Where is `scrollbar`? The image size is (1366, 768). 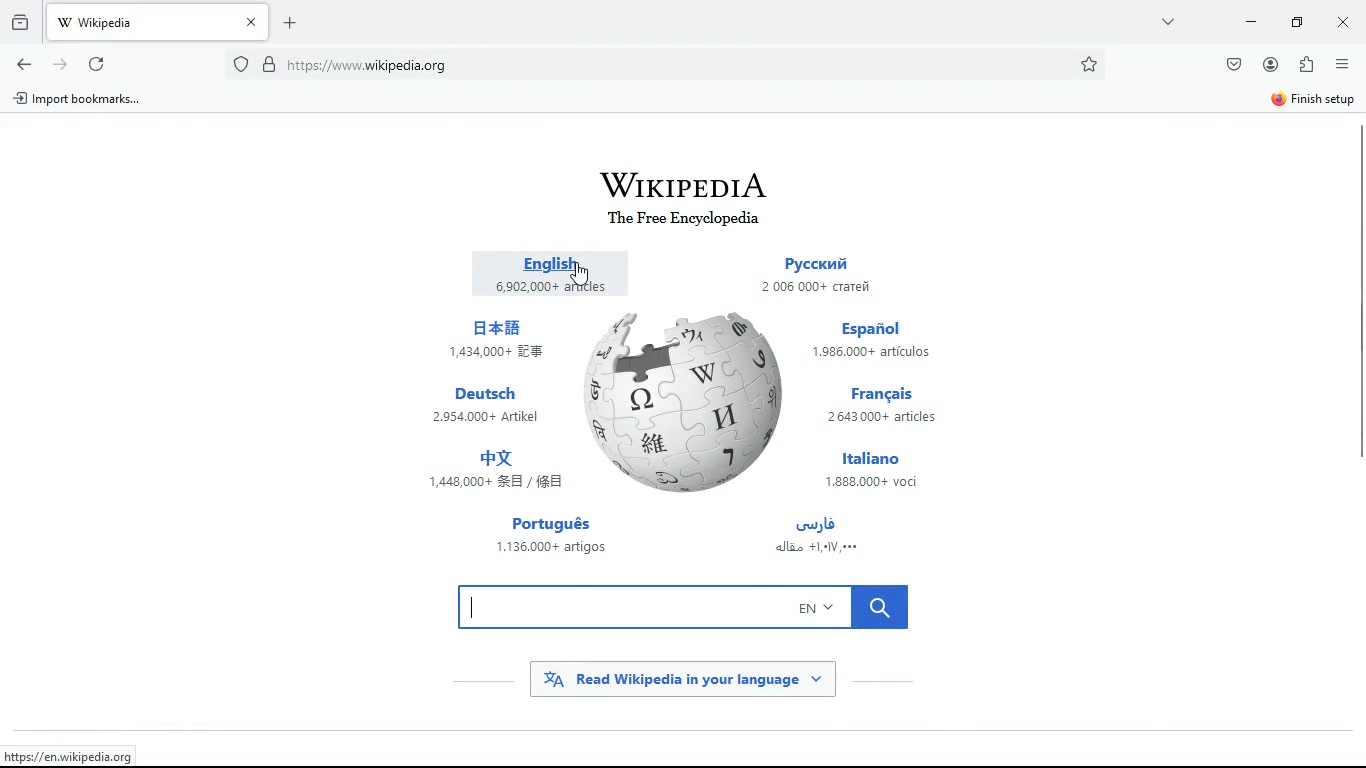
scrollbar is located at coordinates (1357, 292).